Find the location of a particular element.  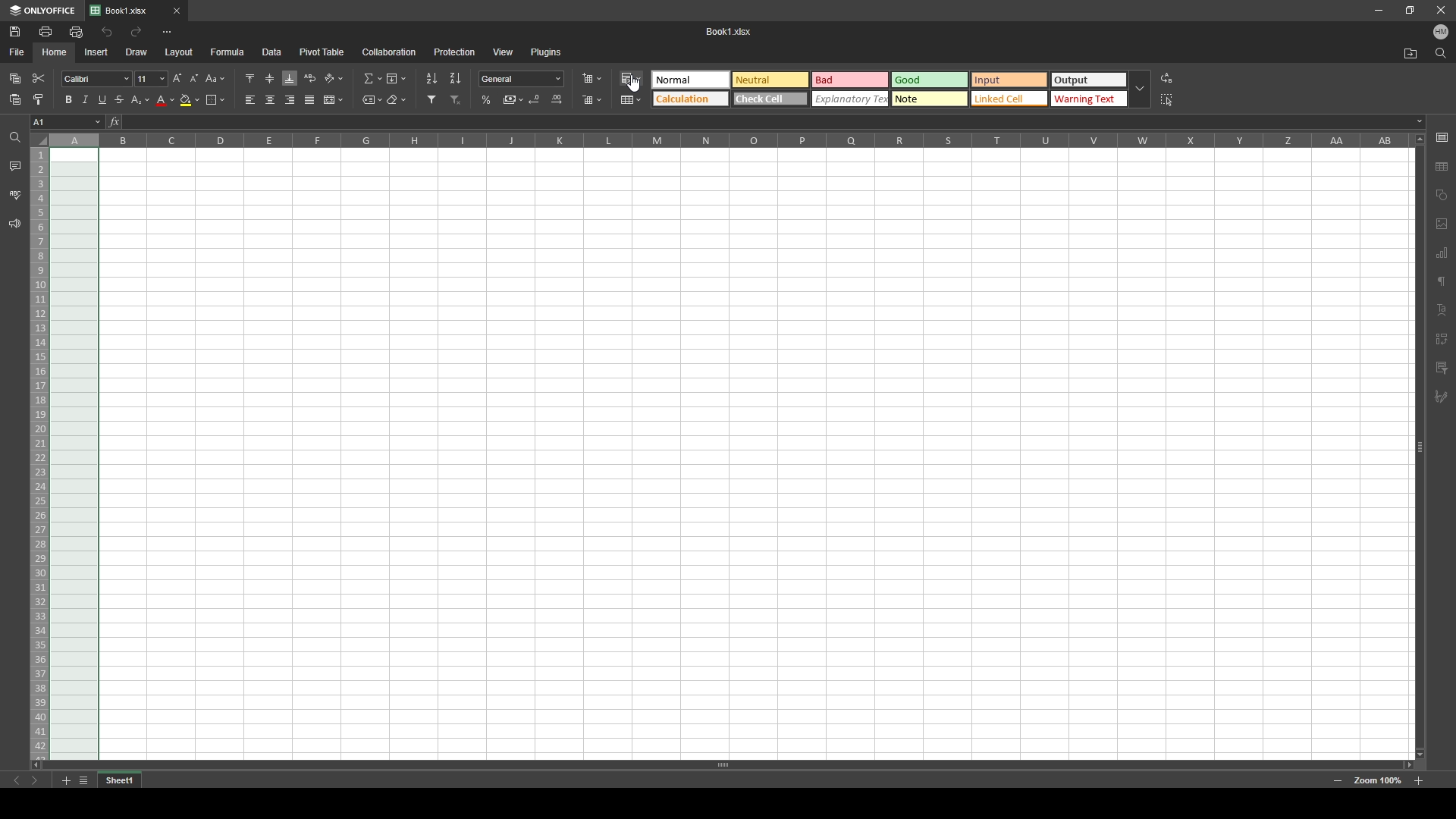

font color is located at coordinates (166, 101).